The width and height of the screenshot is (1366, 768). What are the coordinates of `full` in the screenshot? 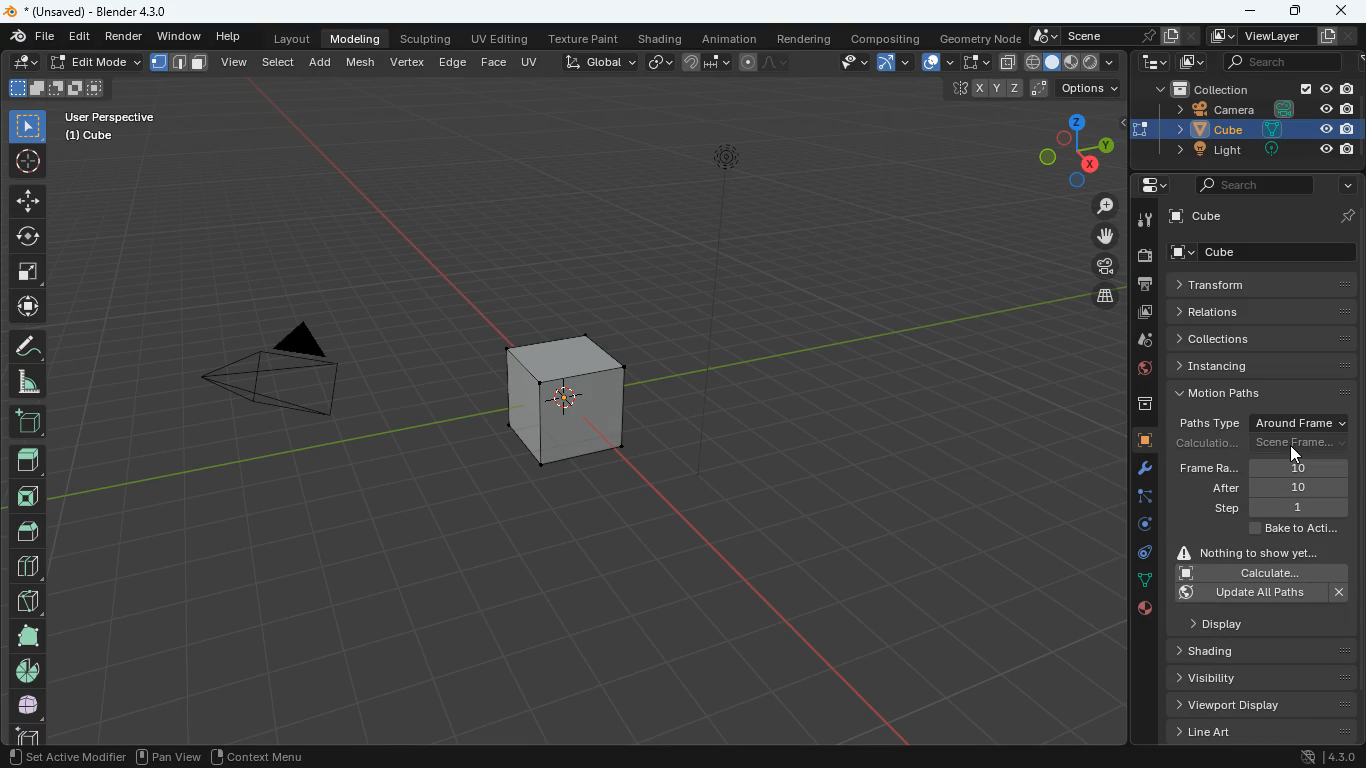 It's located at (28, 704).